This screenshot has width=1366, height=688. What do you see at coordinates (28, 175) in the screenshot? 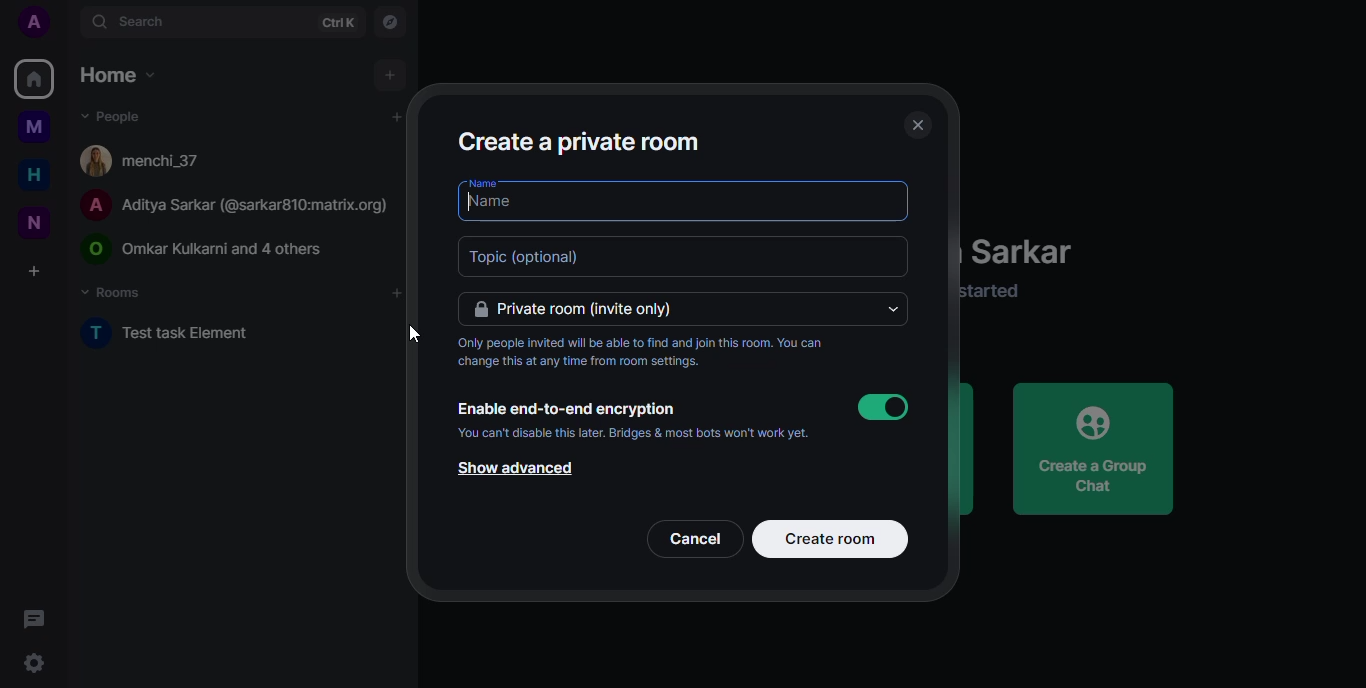
I see `home` at bounding box center [28, 175].